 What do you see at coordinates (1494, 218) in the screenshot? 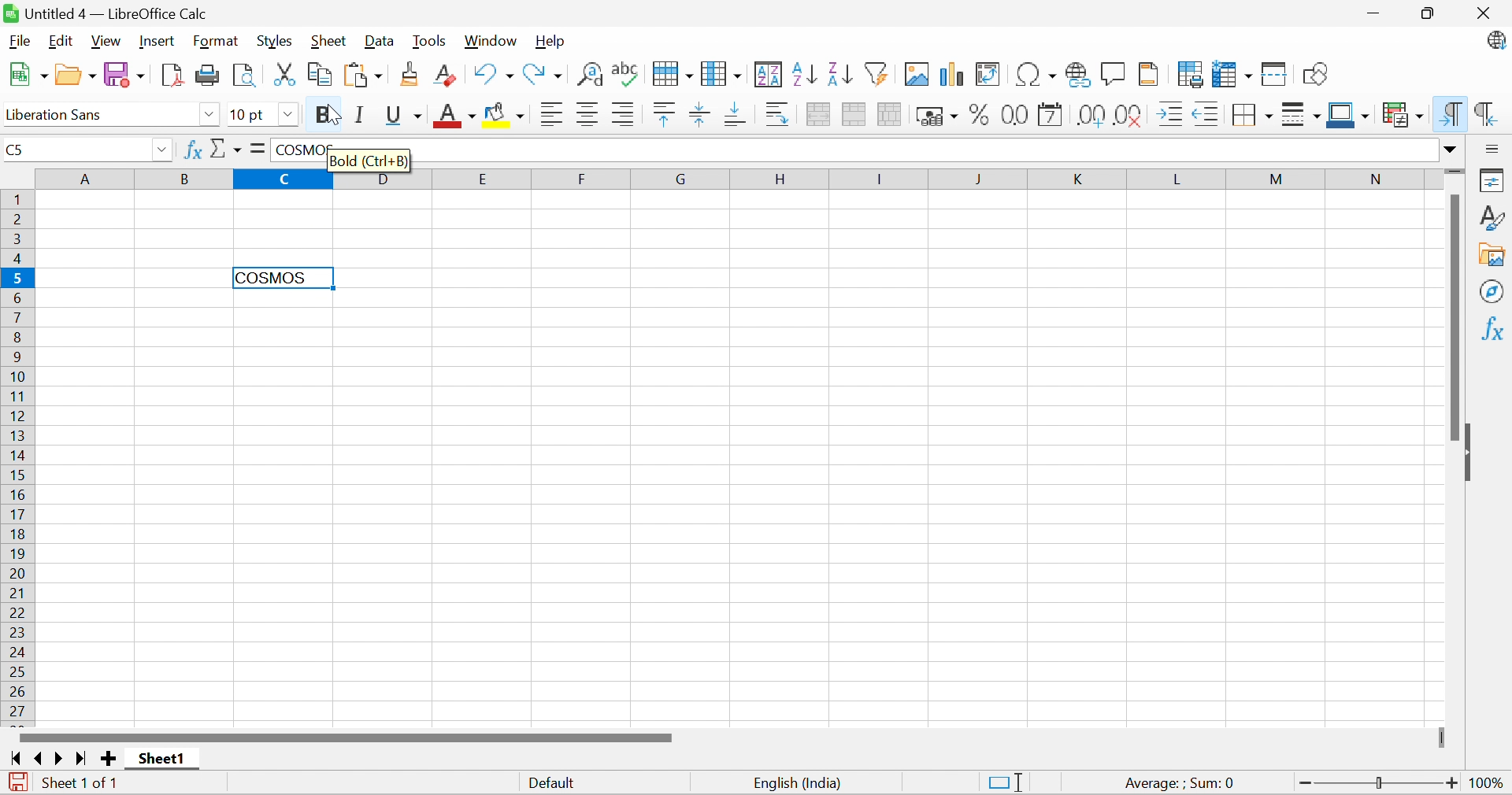
I see `Styles` at bounding box center [1494, 218].